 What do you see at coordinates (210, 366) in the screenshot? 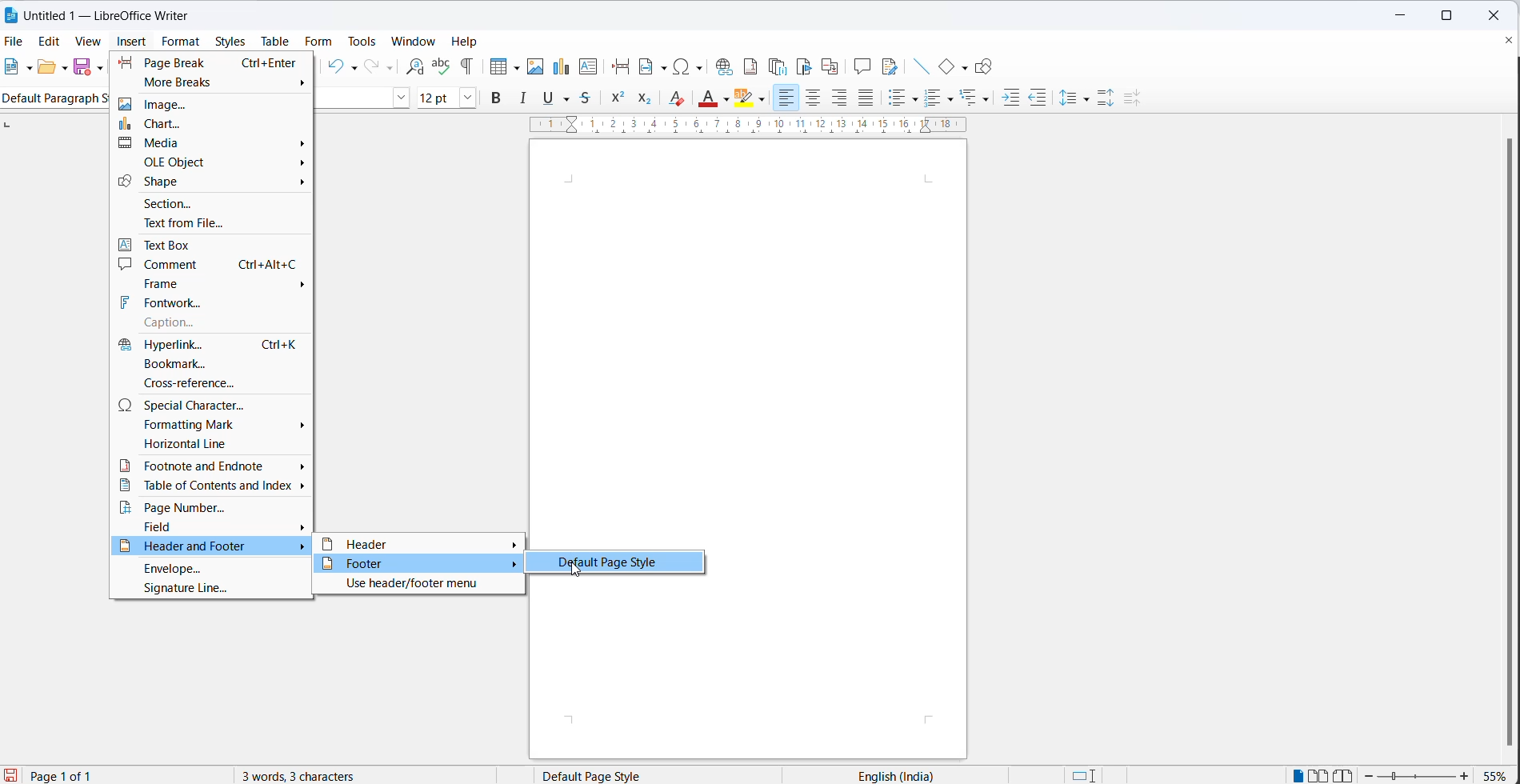
I see `bookmark` at bounding box center [210, 366].